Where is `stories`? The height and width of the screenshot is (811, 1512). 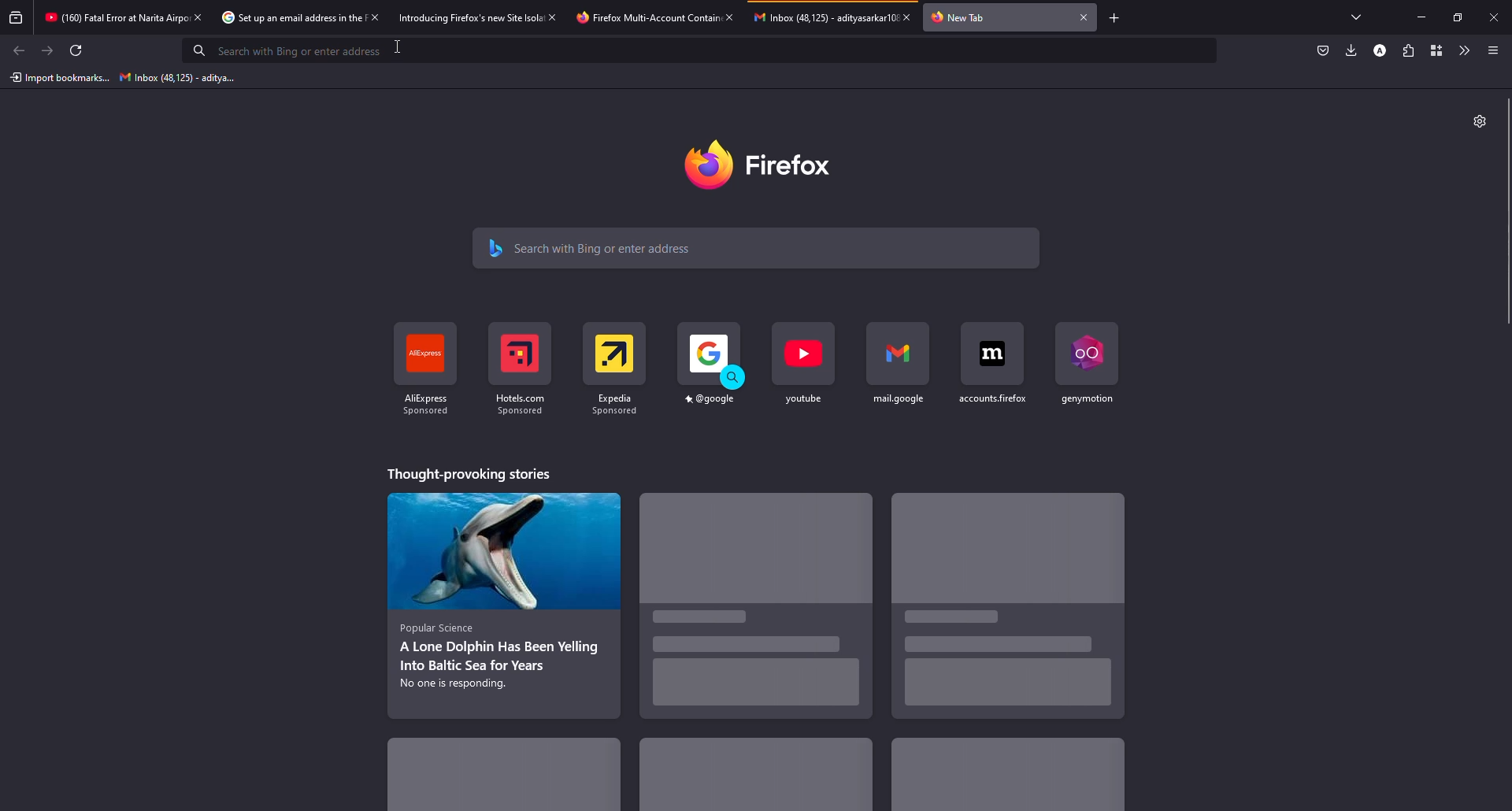 stories is located at coordinates (1004, 778).